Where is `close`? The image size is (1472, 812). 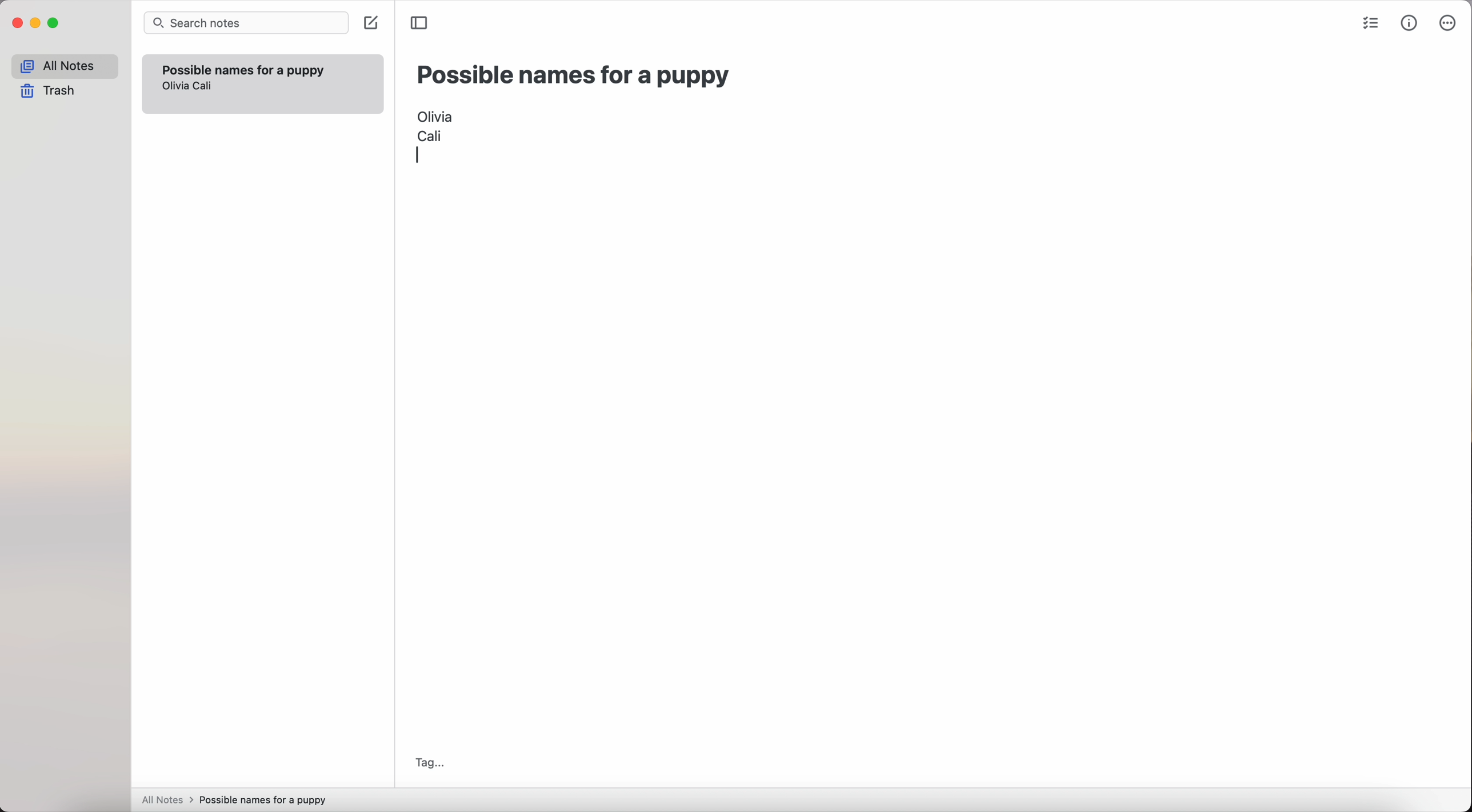 close is located at coordinates (16, 25).